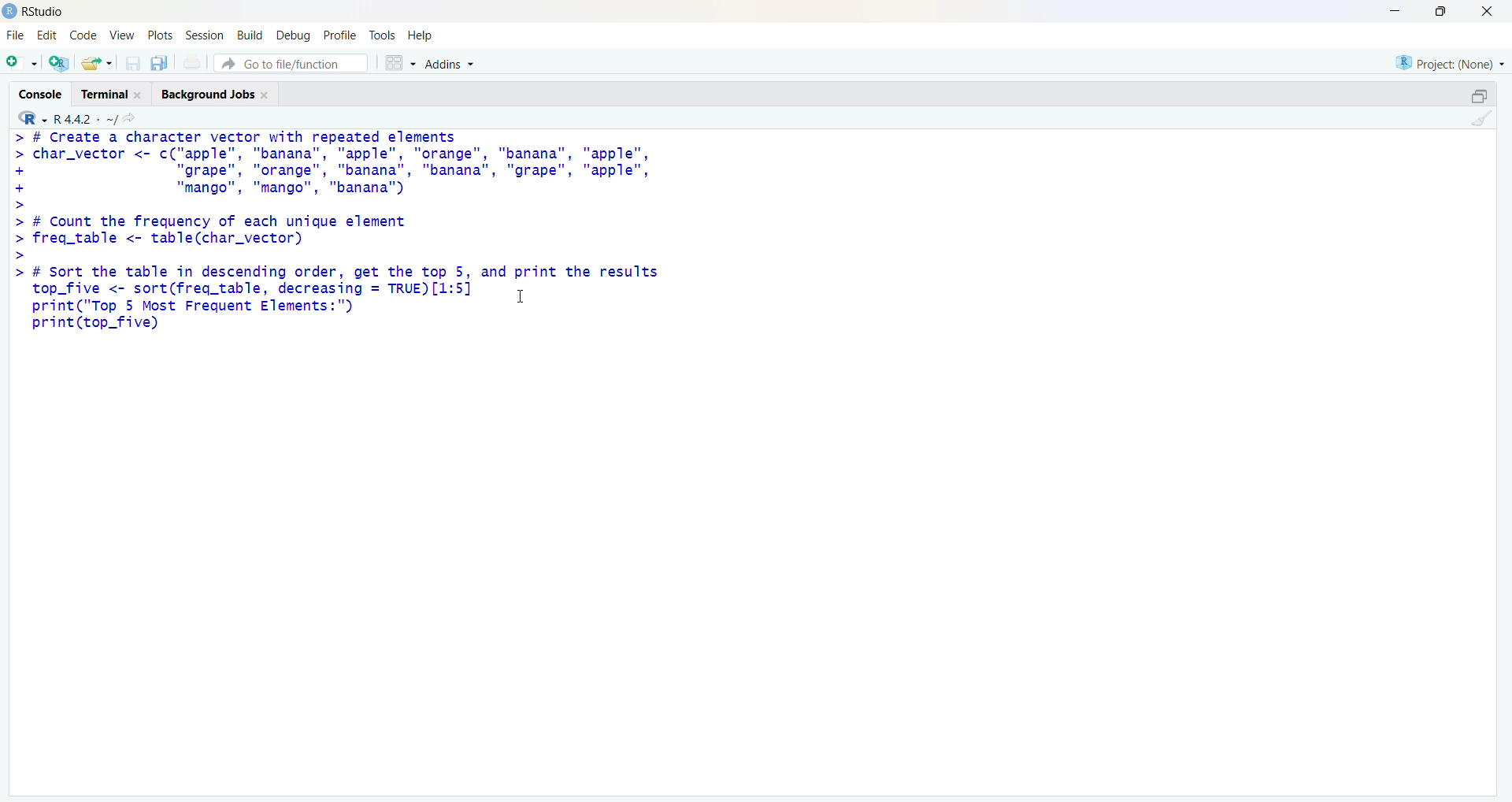  Describe the element at coordinates (192, 65) in the screenshot. I see `Print the current file` at that location.